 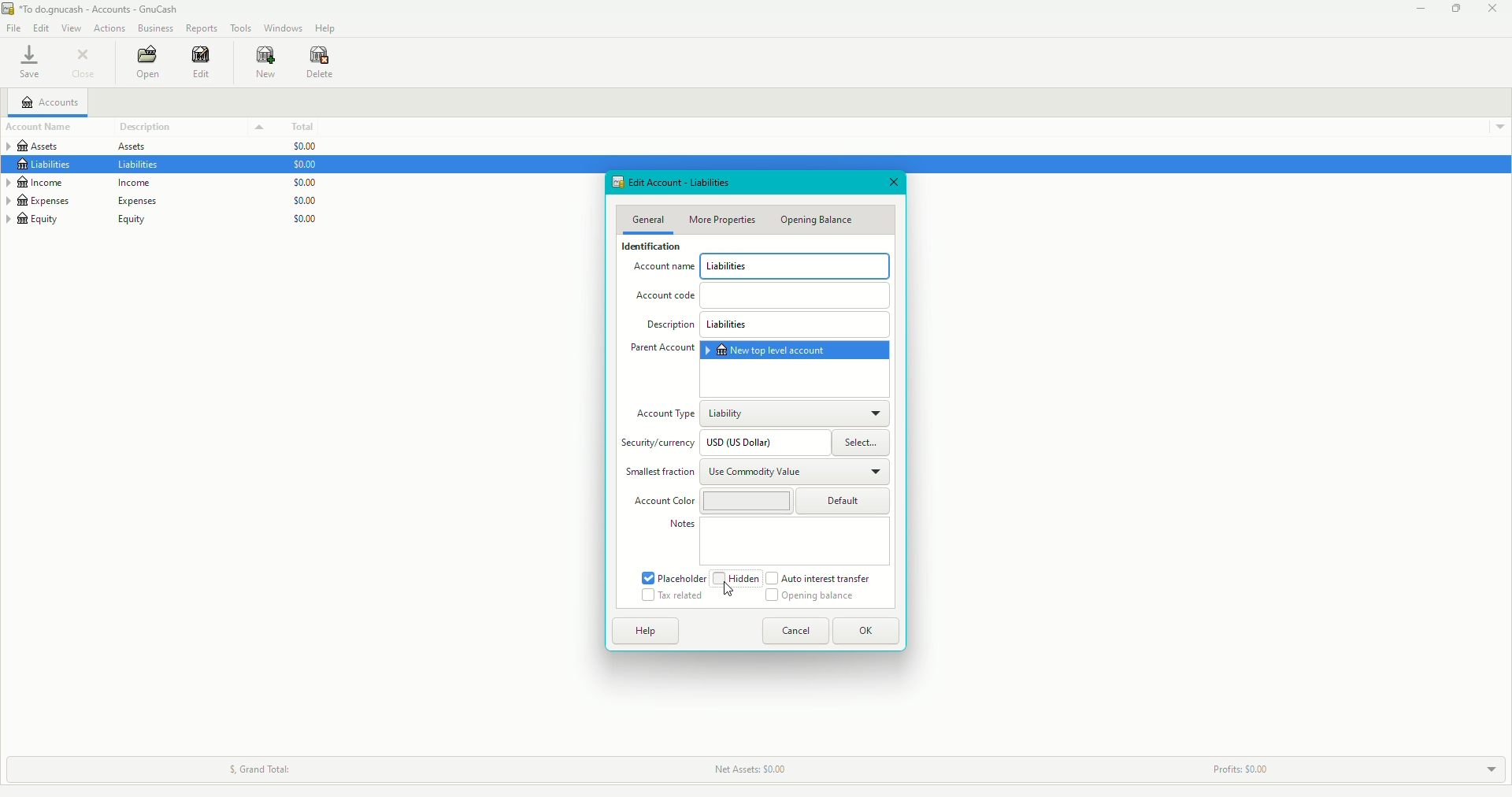 I want to click on Windows, so click(x=285, y=28).